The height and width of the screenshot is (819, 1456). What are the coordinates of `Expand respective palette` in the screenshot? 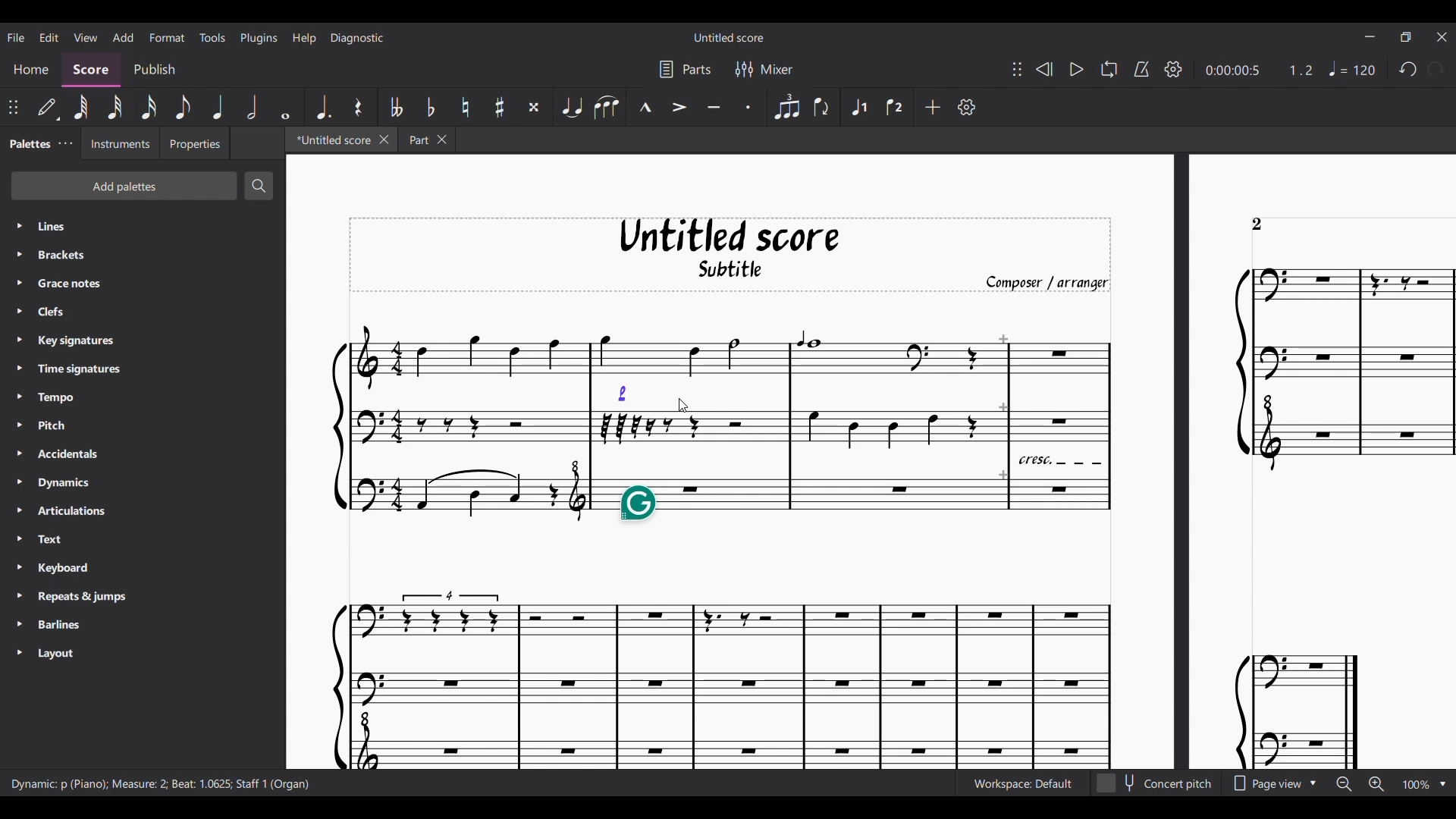 It's located at (19, 438).